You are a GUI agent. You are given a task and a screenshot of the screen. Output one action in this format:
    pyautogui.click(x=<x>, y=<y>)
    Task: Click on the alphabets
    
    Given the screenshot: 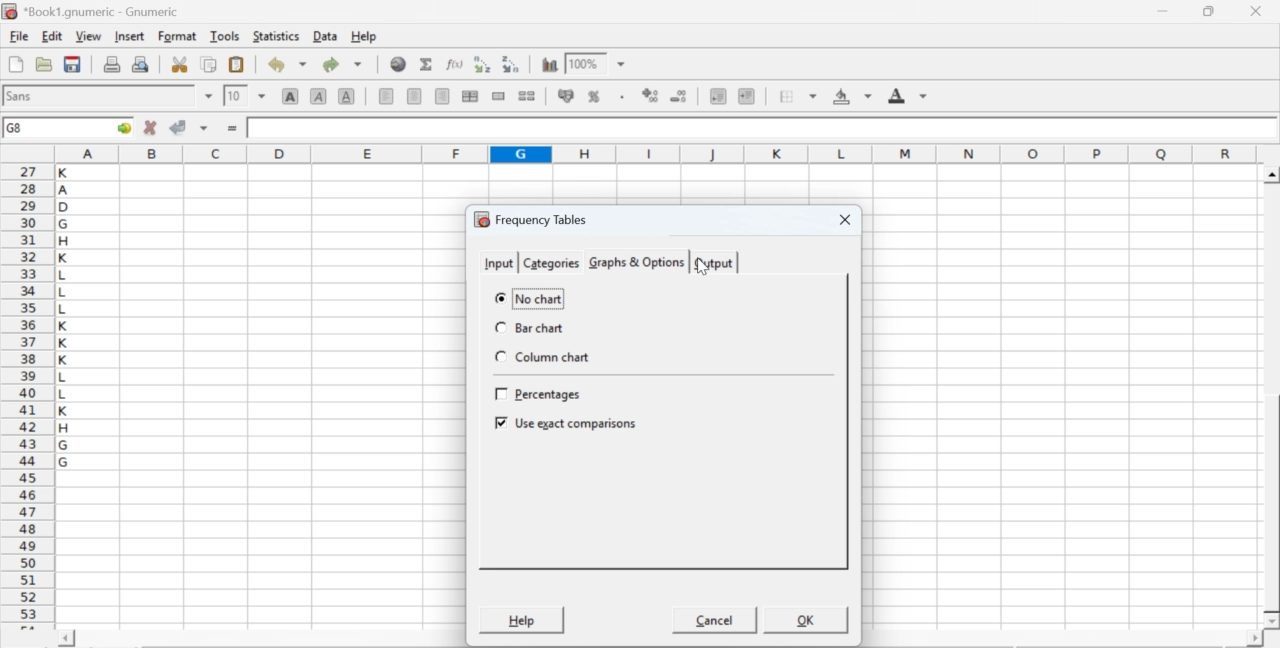 What is the action you would take?
    pyautogui.click(x=65, y=393)
    